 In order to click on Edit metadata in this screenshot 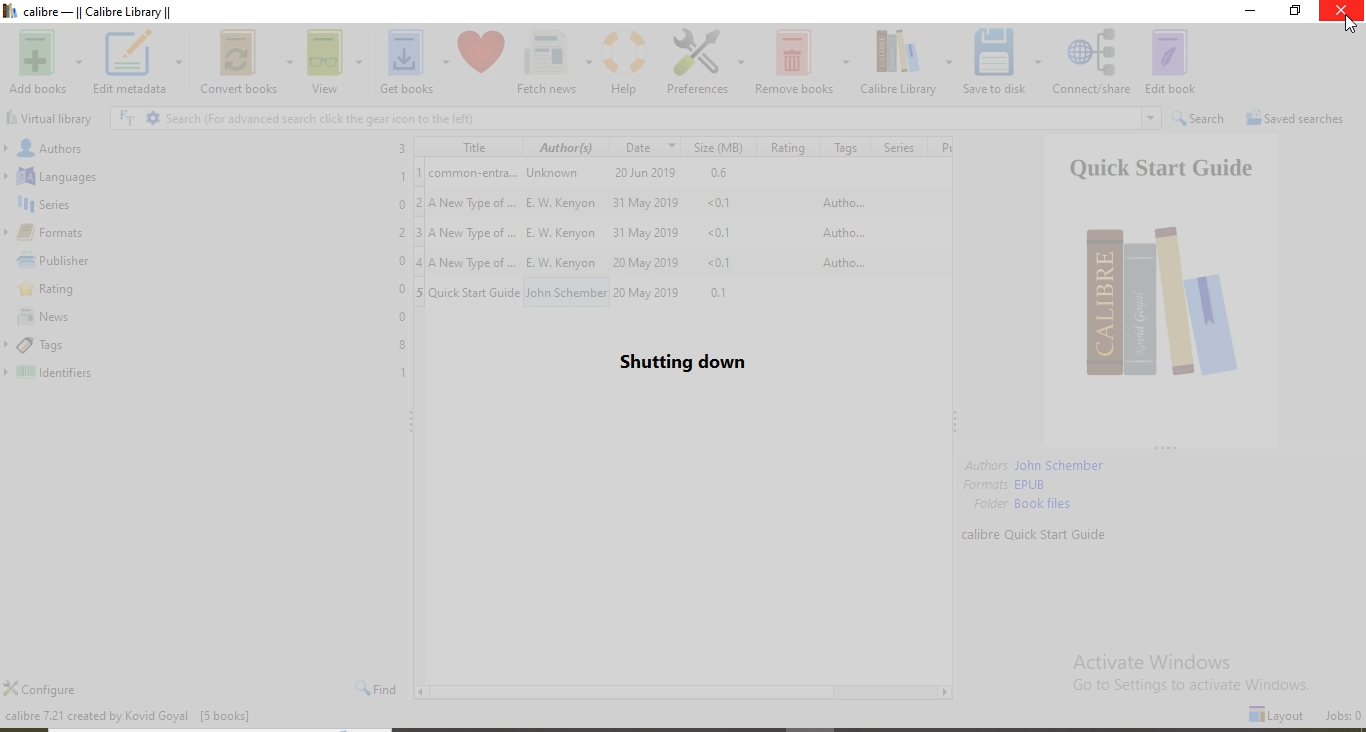, I will do `click(139, 63)`.